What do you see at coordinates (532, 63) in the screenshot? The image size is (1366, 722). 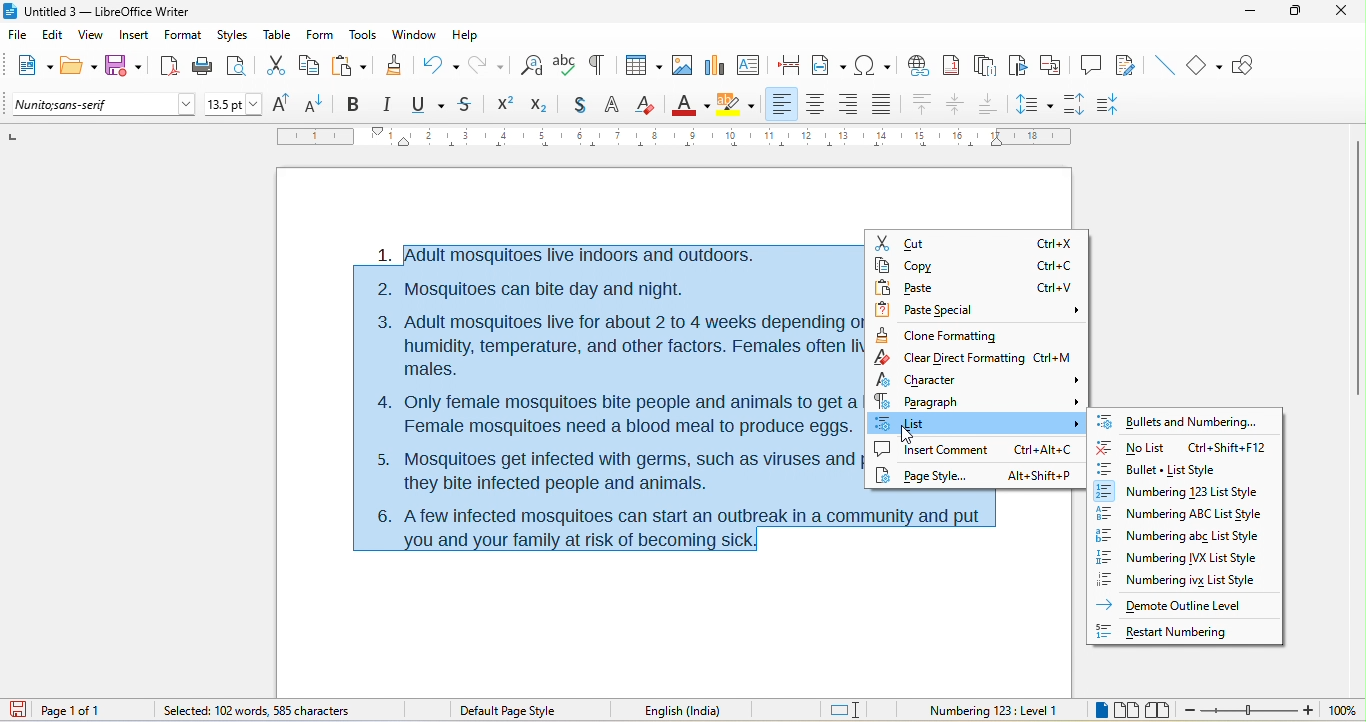 I see `find and replace` at bounding box center [532, 63].